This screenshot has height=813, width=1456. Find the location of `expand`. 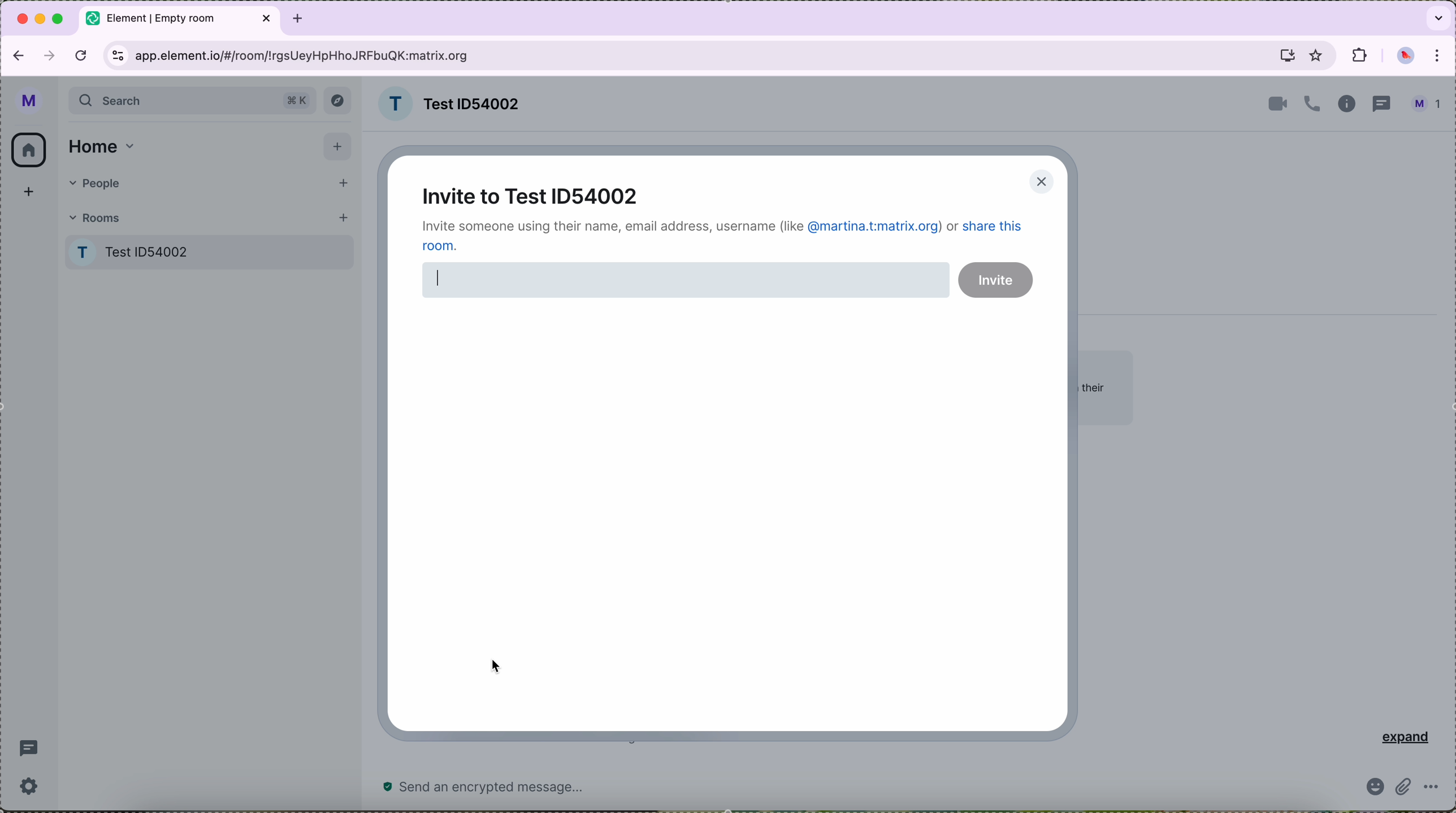

expand is located at coordinates (1401, 736).